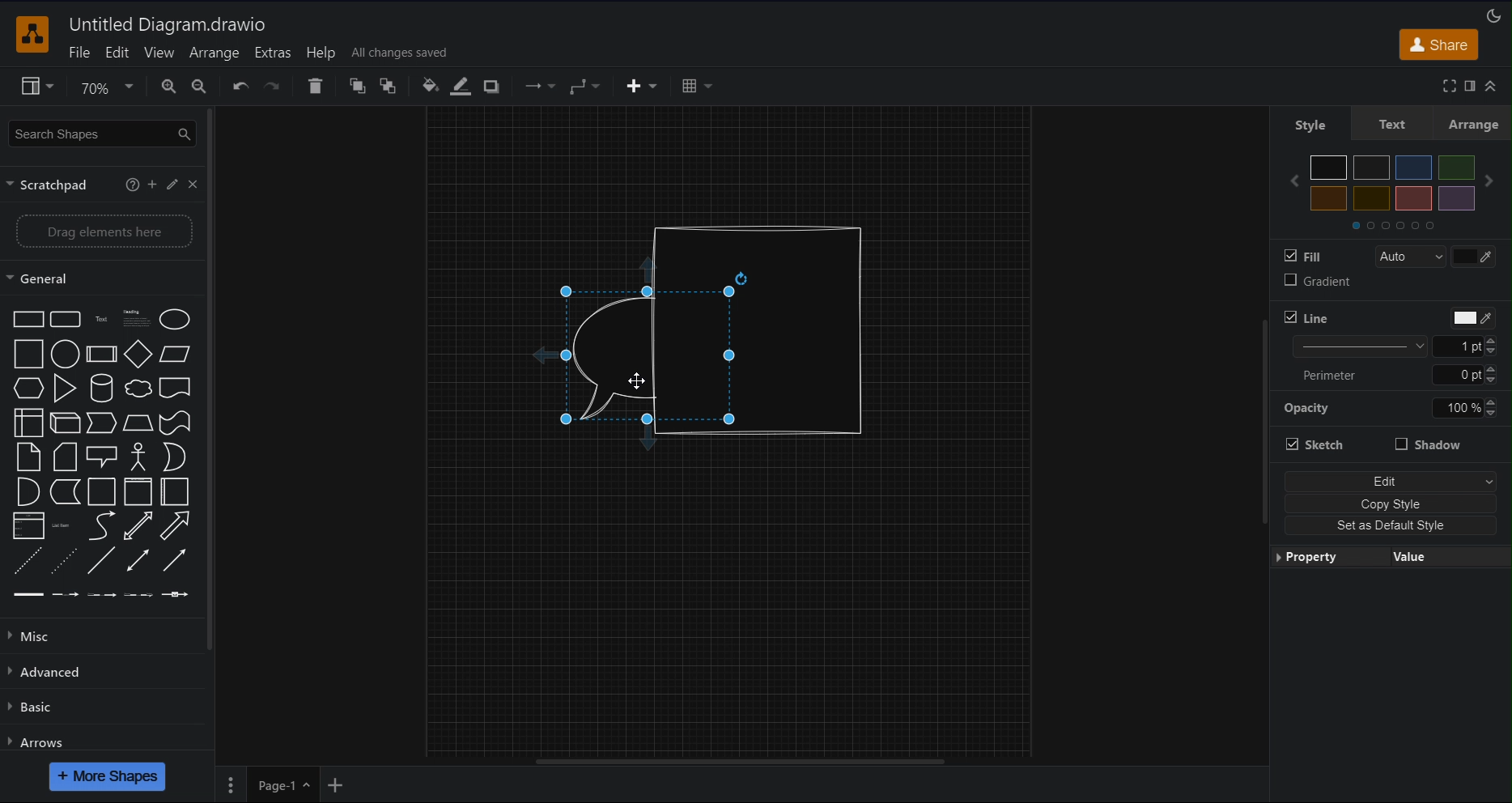 This screenshot has height=803, width=1512. What do you see at coordinates (231, 784) in the screenshot?
I see `Pages` at bounding box center [231, 784].